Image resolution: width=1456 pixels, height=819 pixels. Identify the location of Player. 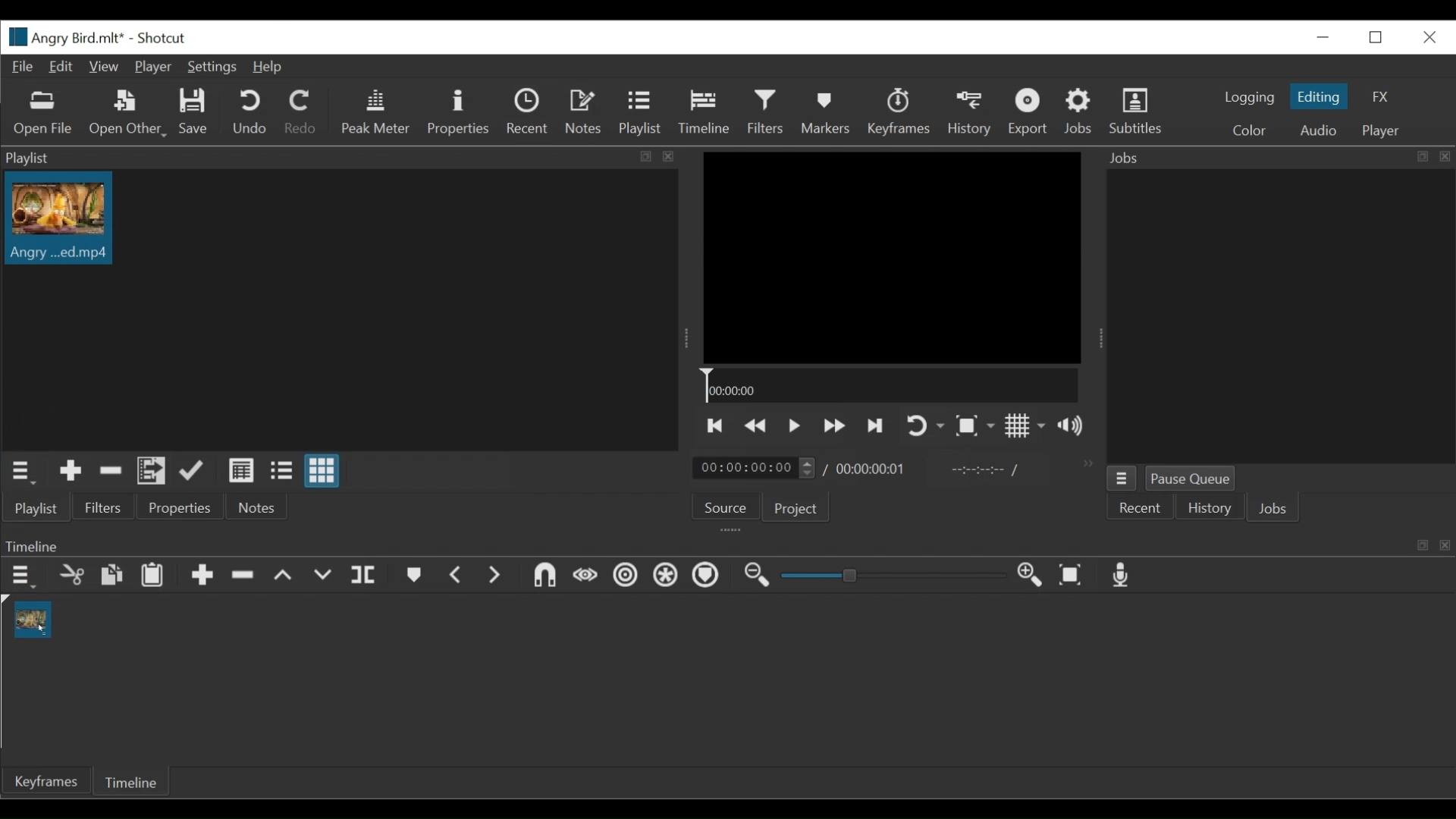
(152, 67).